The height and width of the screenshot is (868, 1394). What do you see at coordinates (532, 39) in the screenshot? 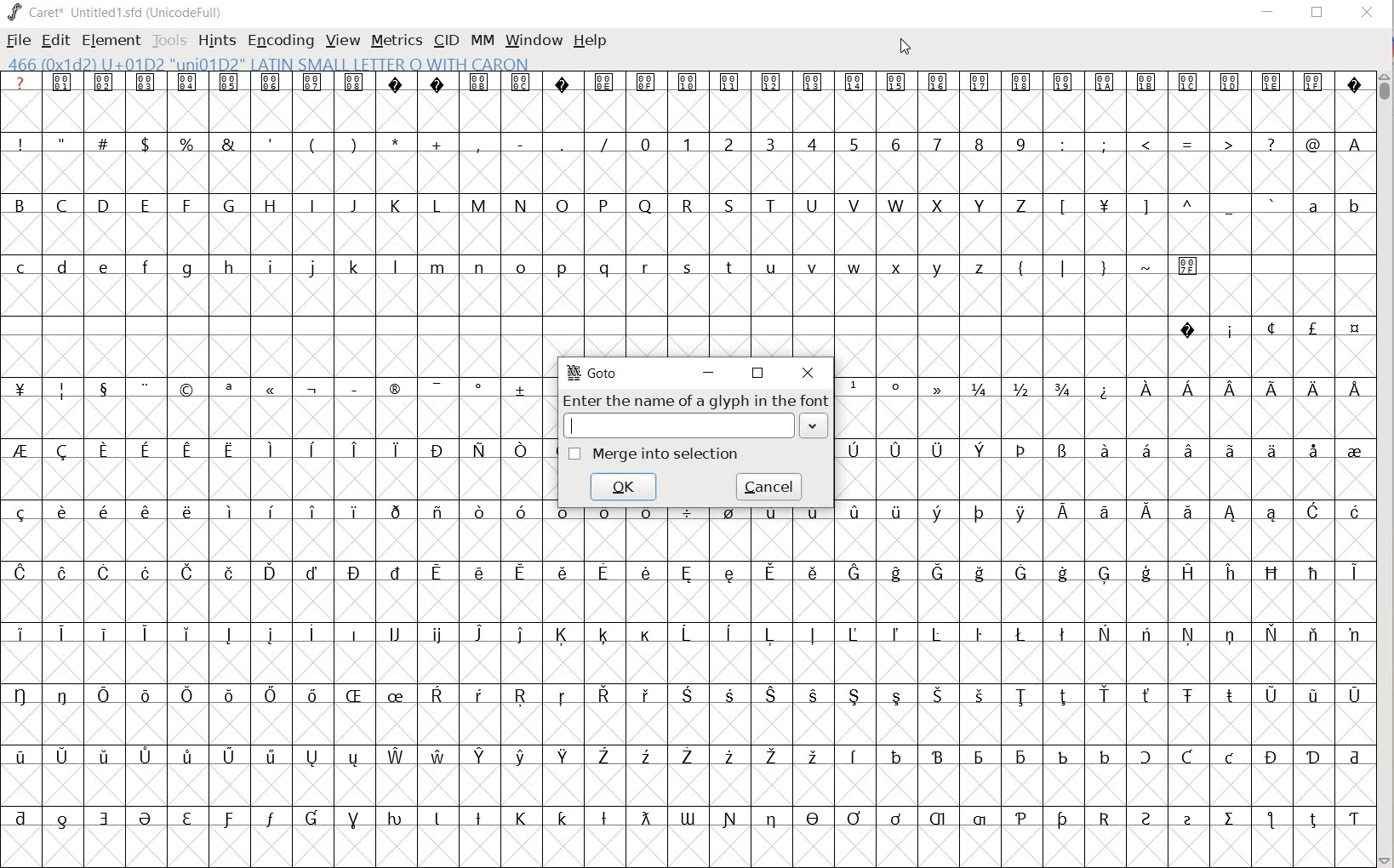
I see `WINDOW` at bounding box center [532, 39].